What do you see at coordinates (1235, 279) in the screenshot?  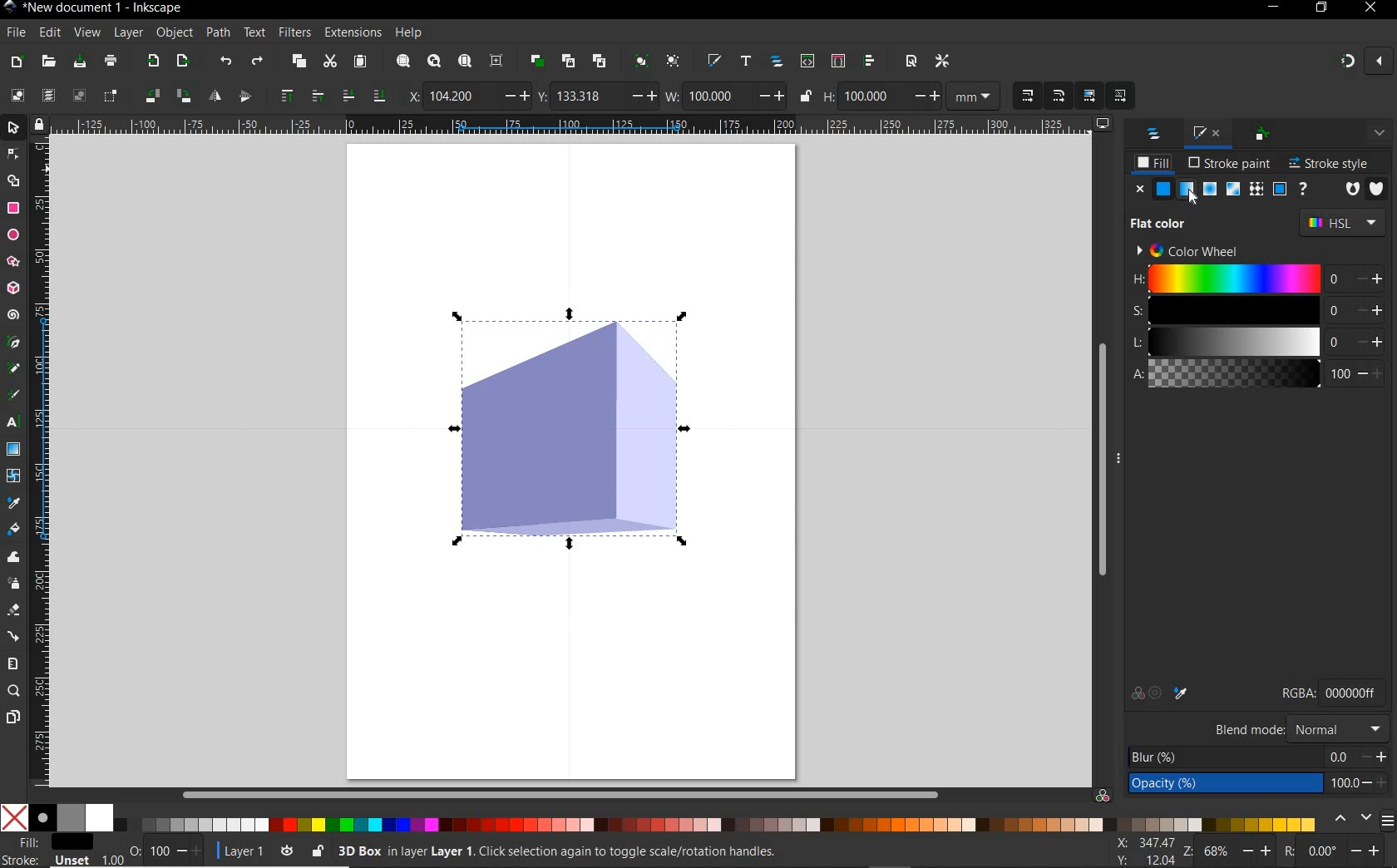 I see `H` at bounding box center [1235, 279].